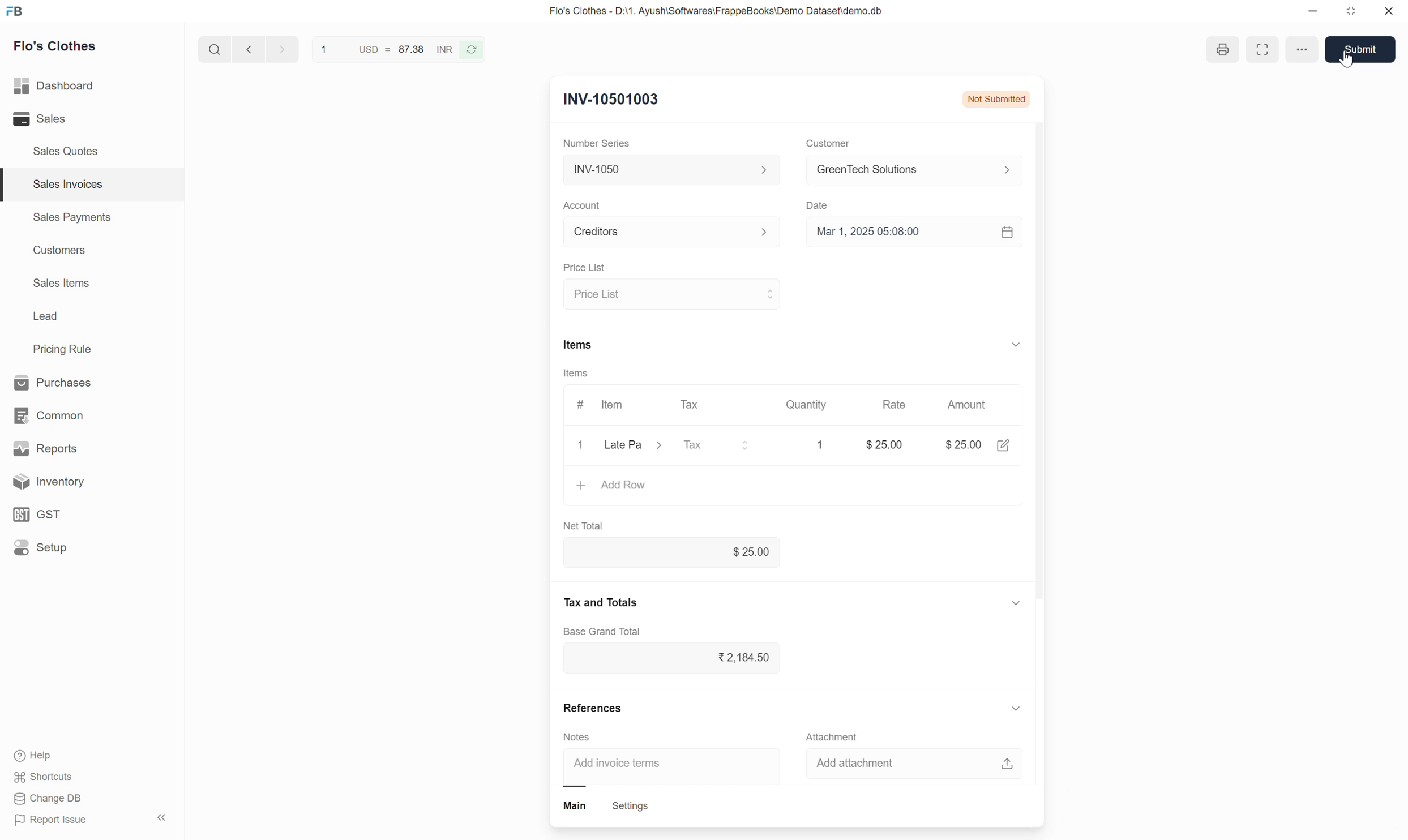 This screenshot has width=1408, height=840. I want to click on Change DB, so click(50, 800).